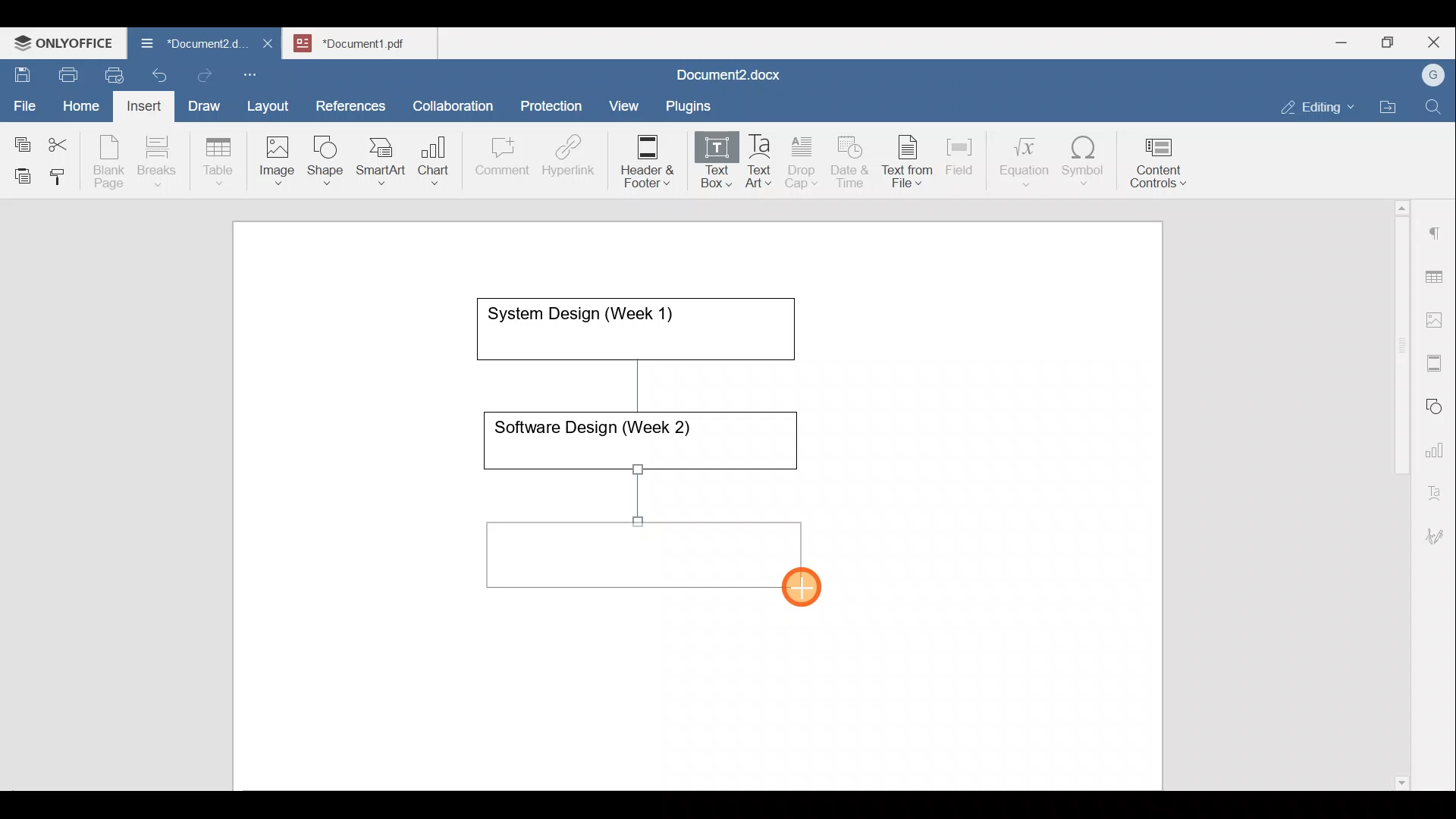 The width and height of the screenshot is (1456, 819). Describe the element at coordinates (140, 103) in the screenshot. I see `Insert` at that location.